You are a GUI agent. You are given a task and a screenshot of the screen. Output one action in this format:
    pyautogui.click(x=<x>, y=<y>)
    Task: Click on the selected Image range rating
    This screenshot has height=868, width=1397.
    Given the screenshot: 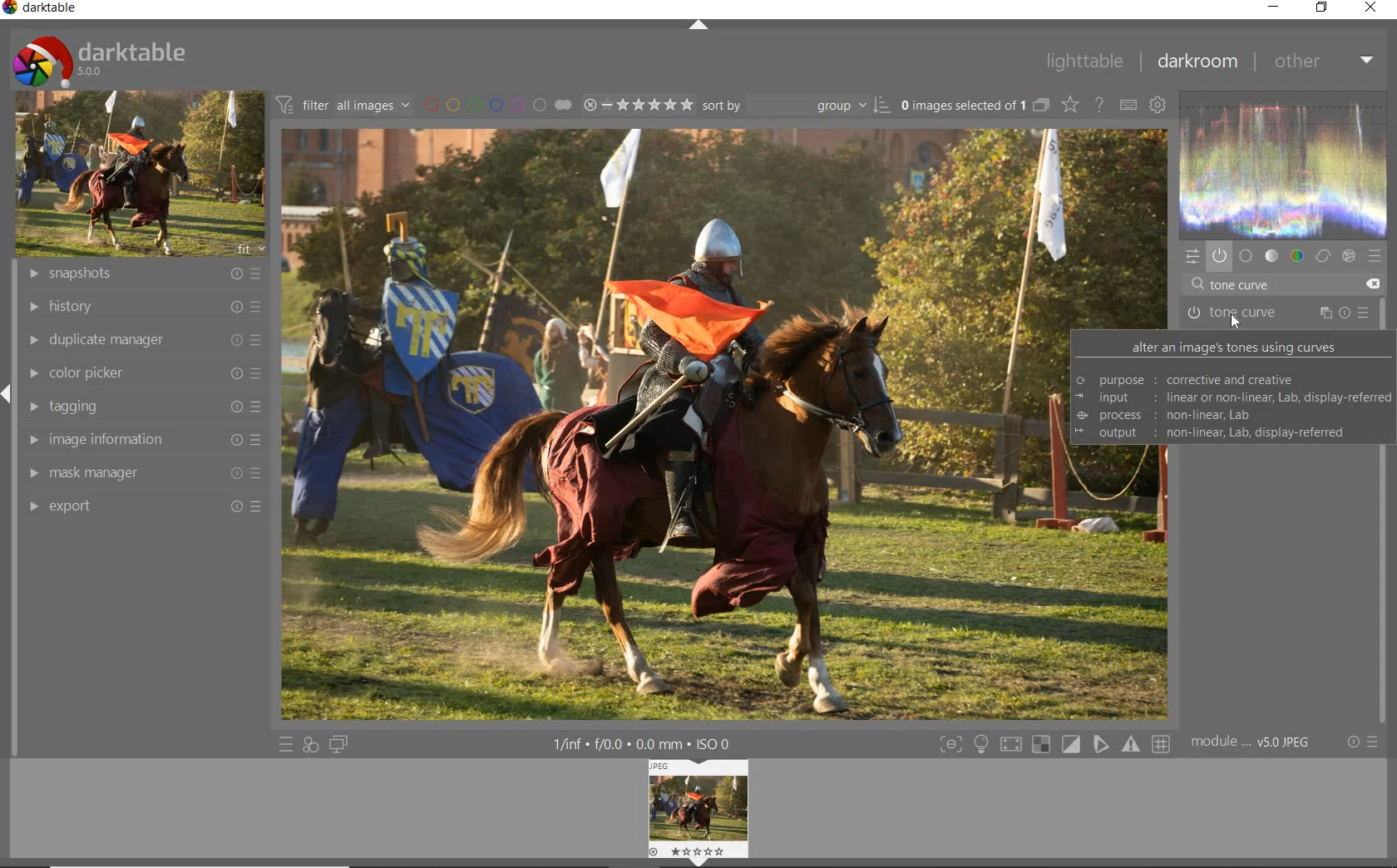 What is the action you would take?
    pyautogui.click(x=636, y=105)
    